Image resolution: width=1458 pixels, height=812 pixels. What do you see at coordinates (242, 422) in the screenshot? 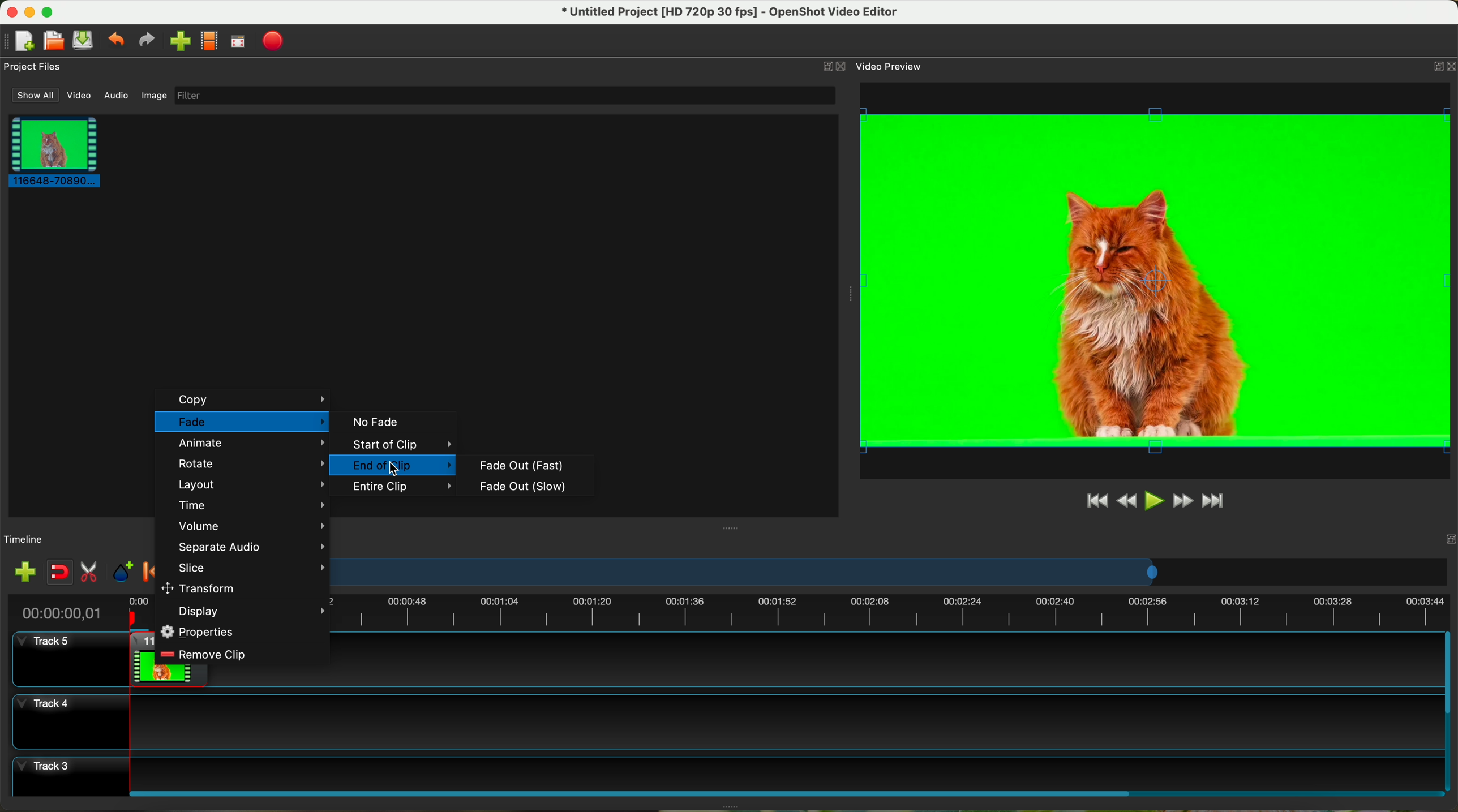
I see `fade` at bounding box center [242, 422].